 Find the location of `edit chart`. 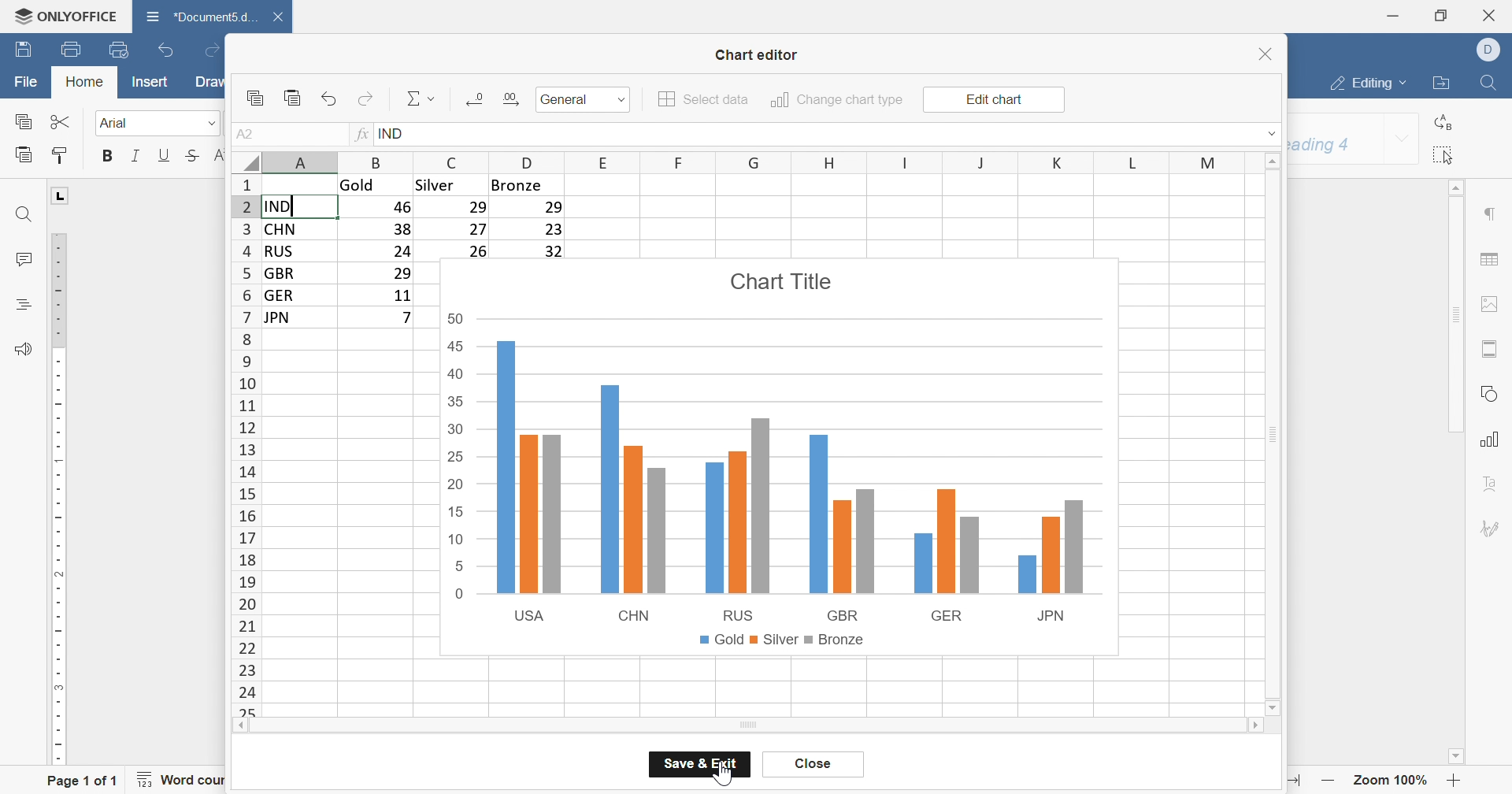

edit chart is located at coordinates (992, 100).